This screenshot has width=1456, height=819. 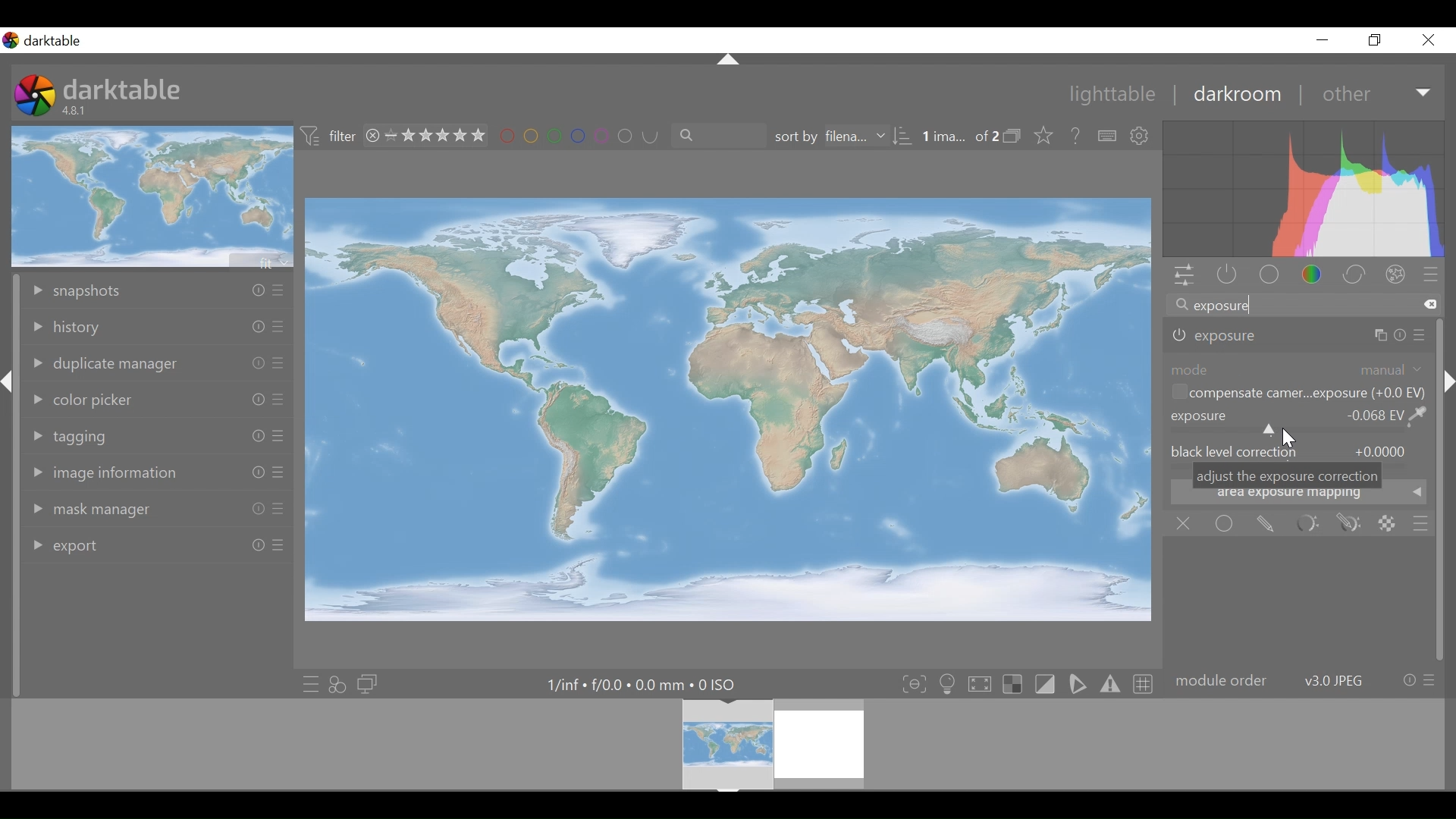 I want to click on tagging, so click(x=158, y=435).